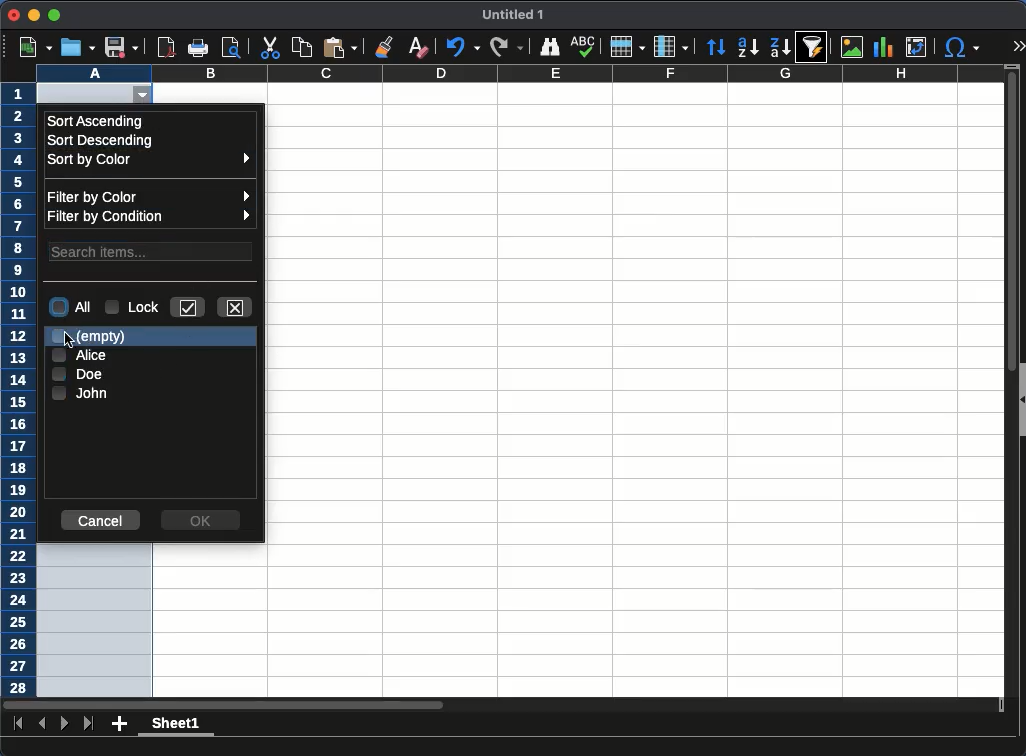 The image size is (1026, 756). I want to click on print preview, so click(231, 47).